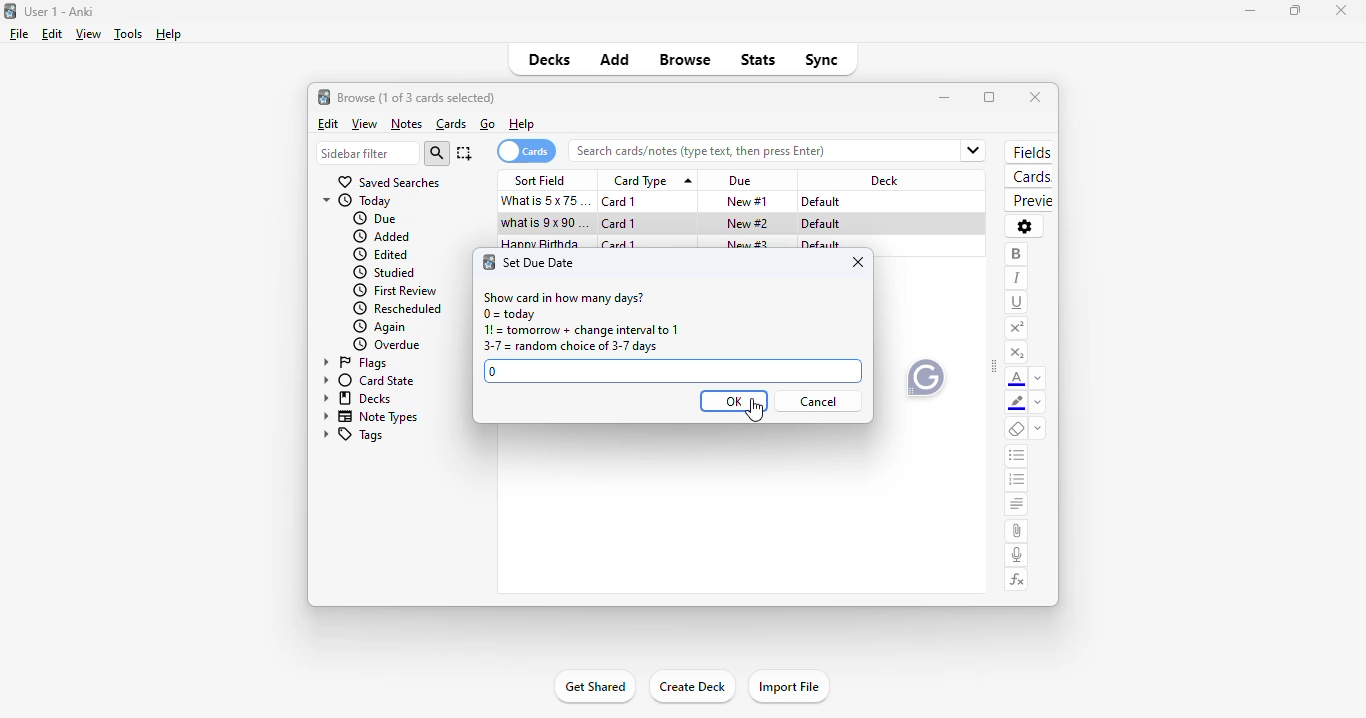  I want to click on sidebar filter, so click(369, 153).